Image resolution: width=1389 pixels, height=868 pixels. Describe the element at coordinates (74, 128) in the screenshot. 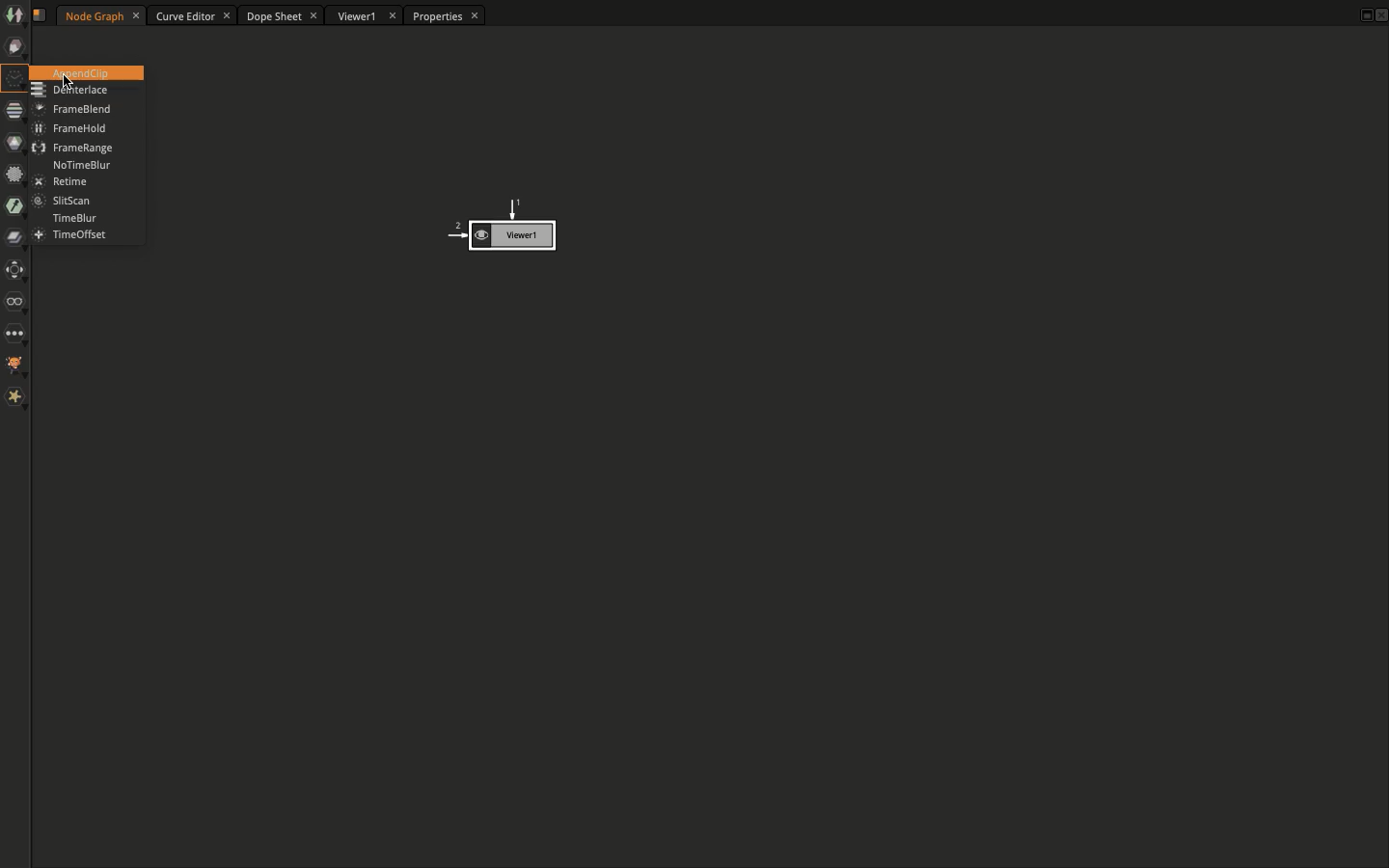

I see `FrameHold` at that location.